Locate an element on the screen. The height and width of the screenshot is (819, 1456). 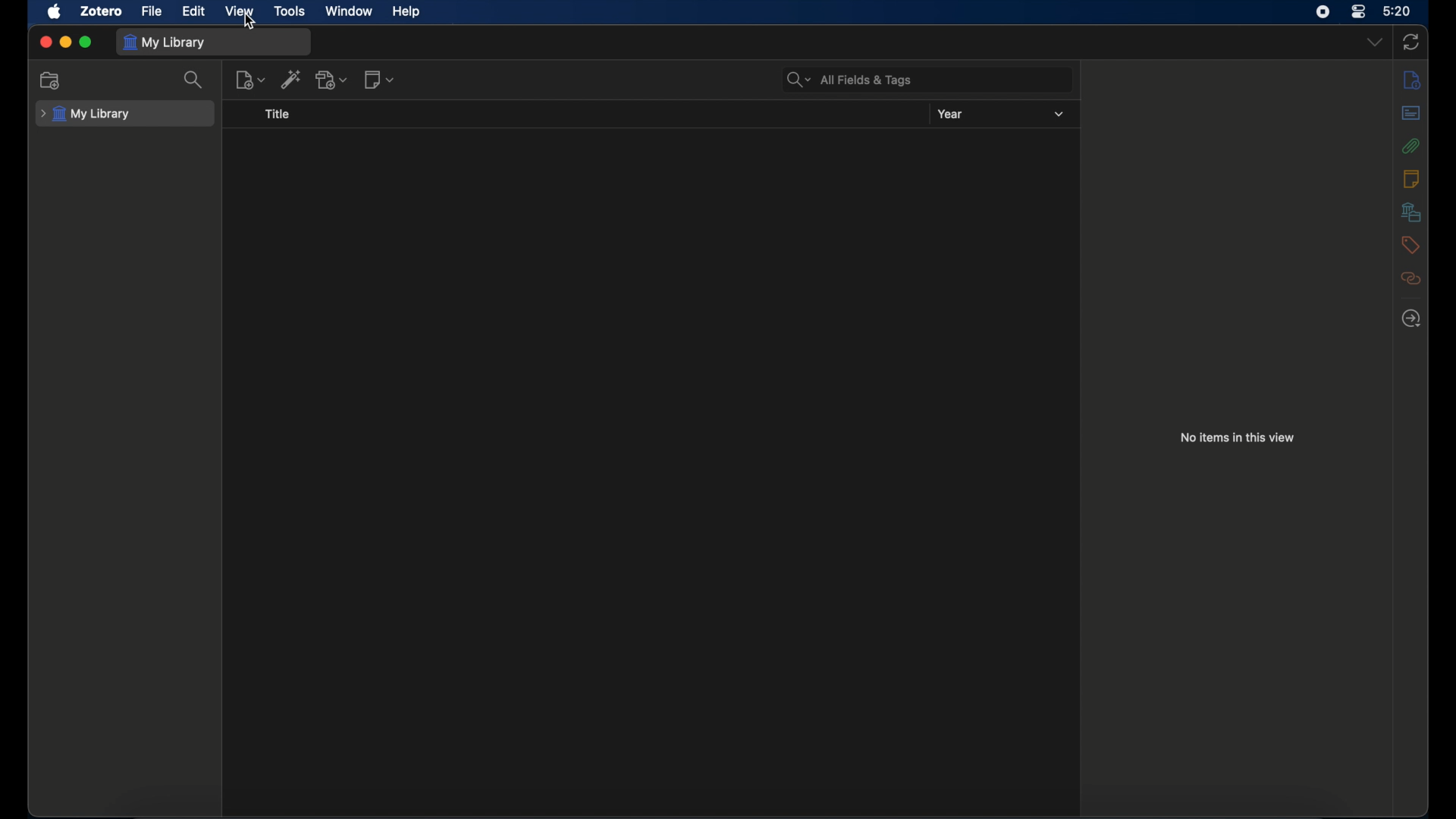
cursor is located at coordinates (249, 23).